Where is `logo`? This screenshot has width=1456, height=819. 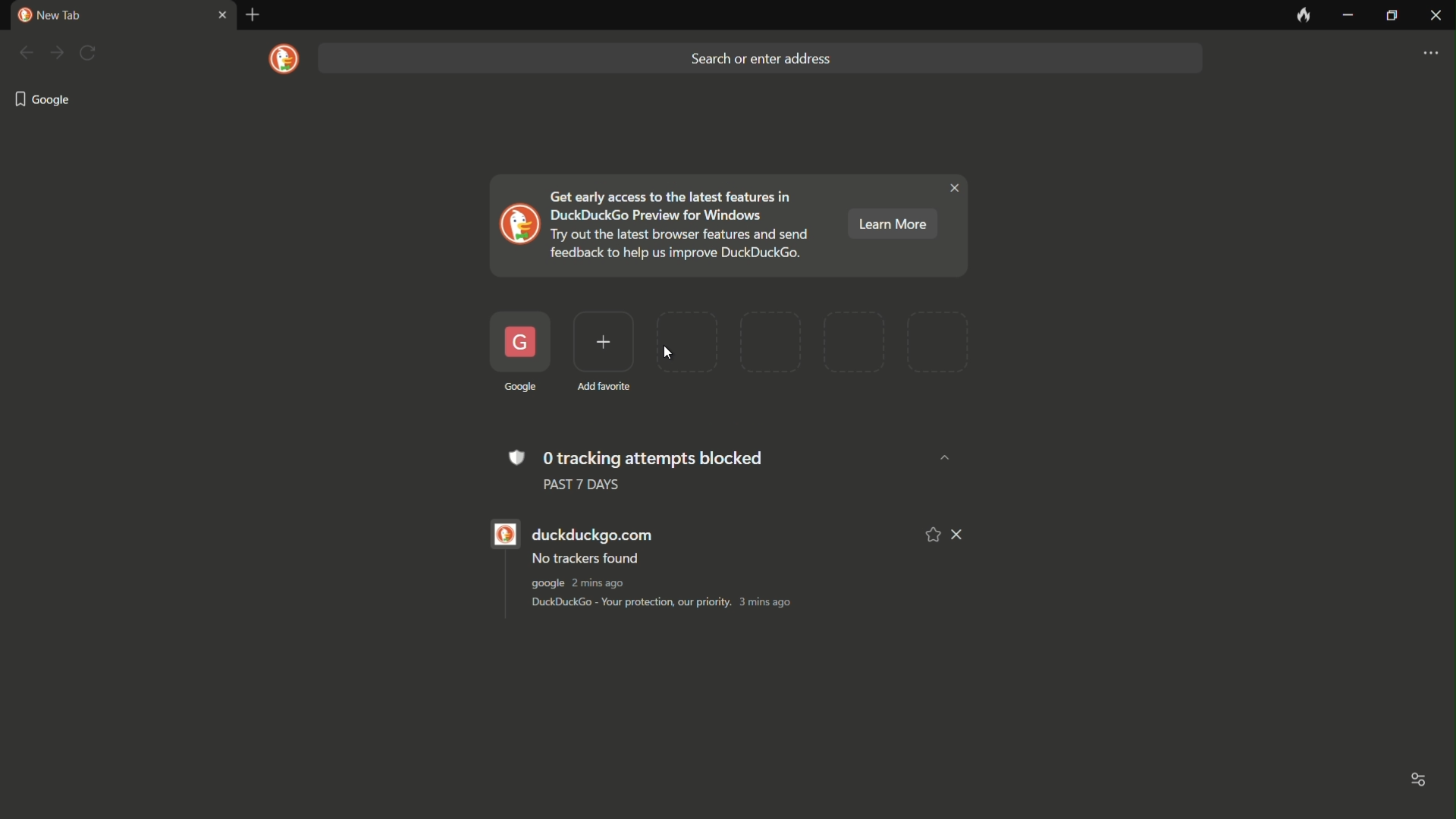
logo is located at coordinates (285, 59).